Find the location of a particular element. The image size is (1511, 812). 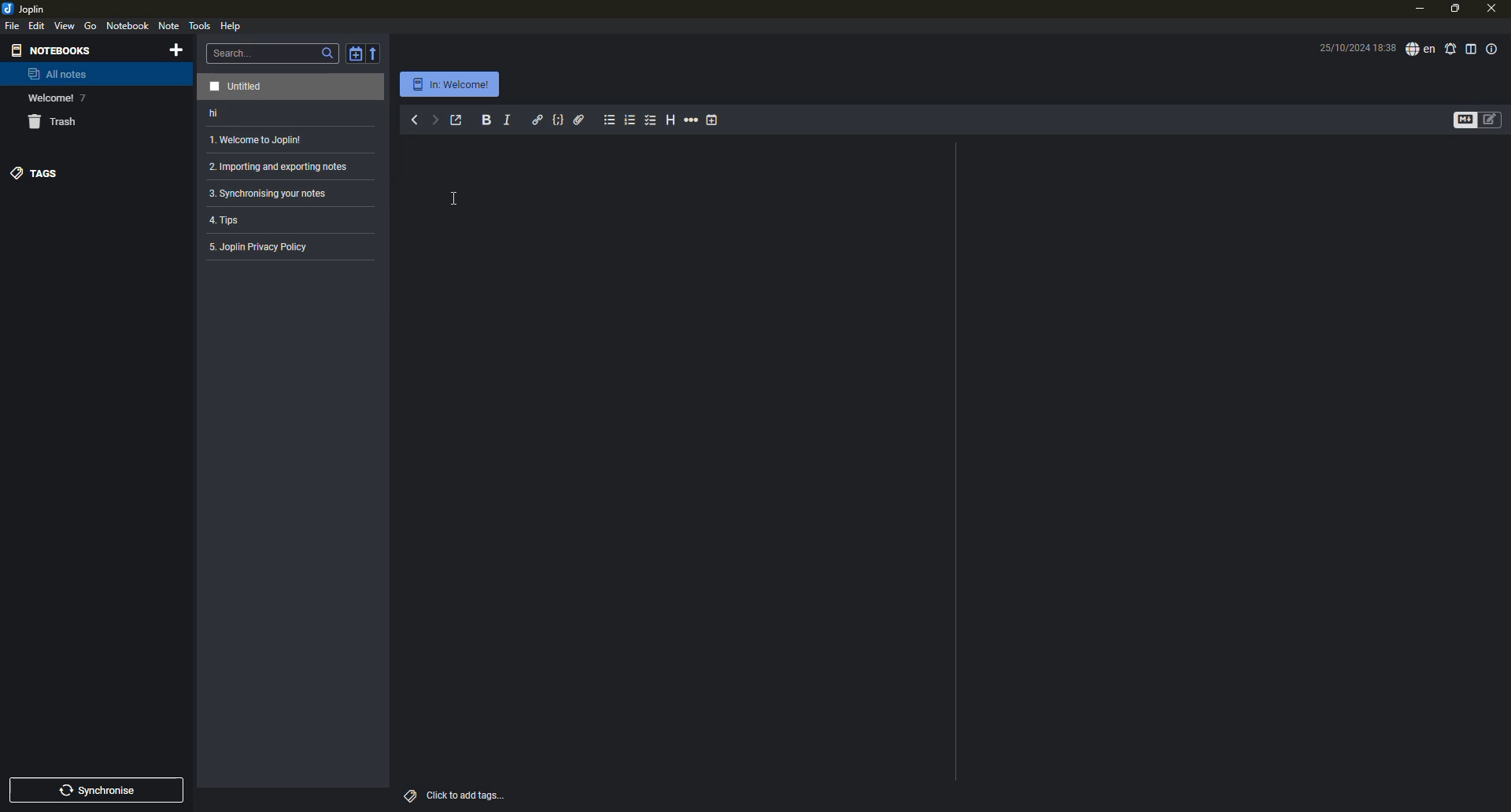

5. Joplin Privacy Policy is located at coordinates (263, 250).